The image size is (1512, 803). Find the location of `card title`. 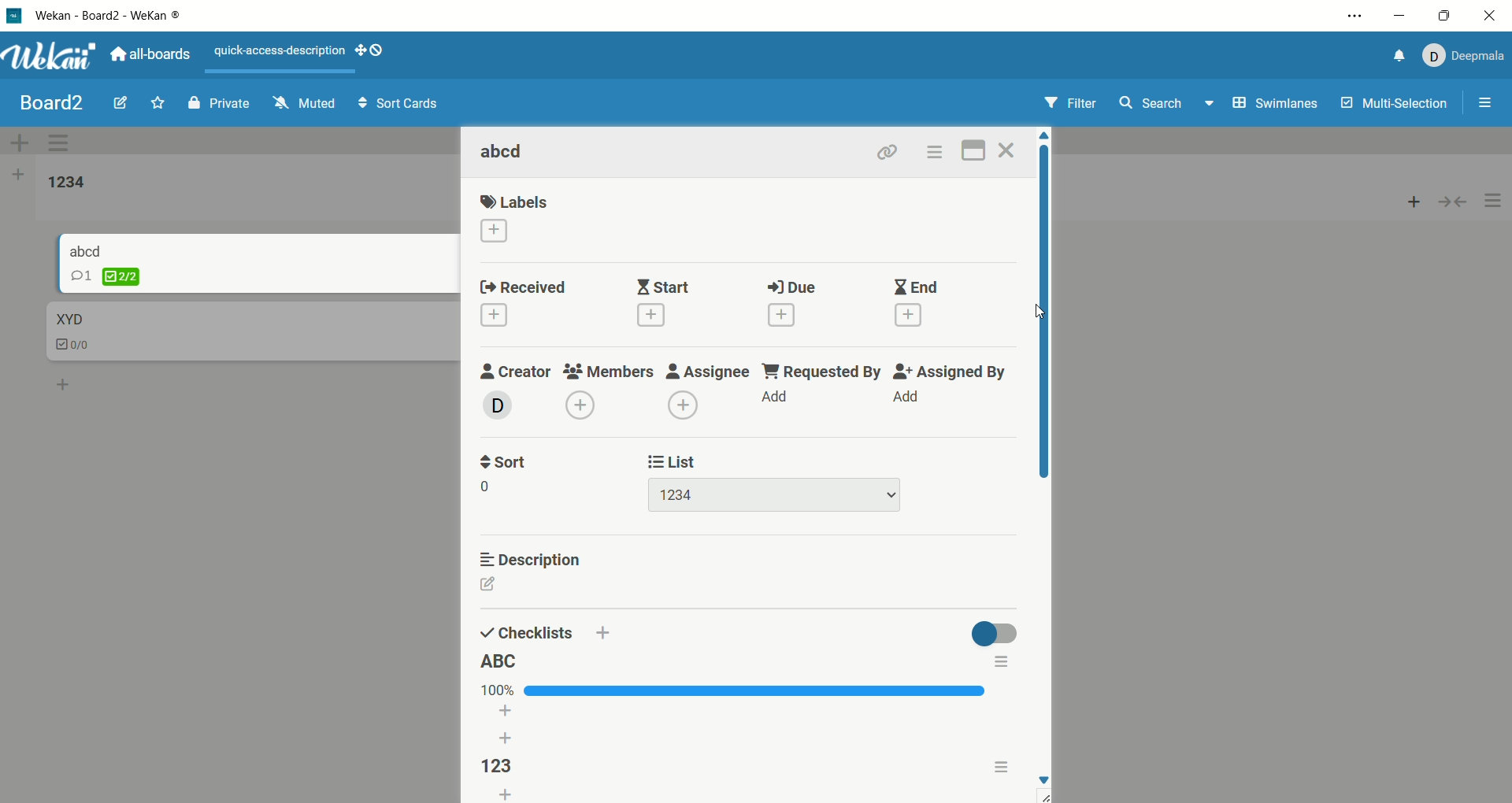

card title is located at coordinates (68, 320).